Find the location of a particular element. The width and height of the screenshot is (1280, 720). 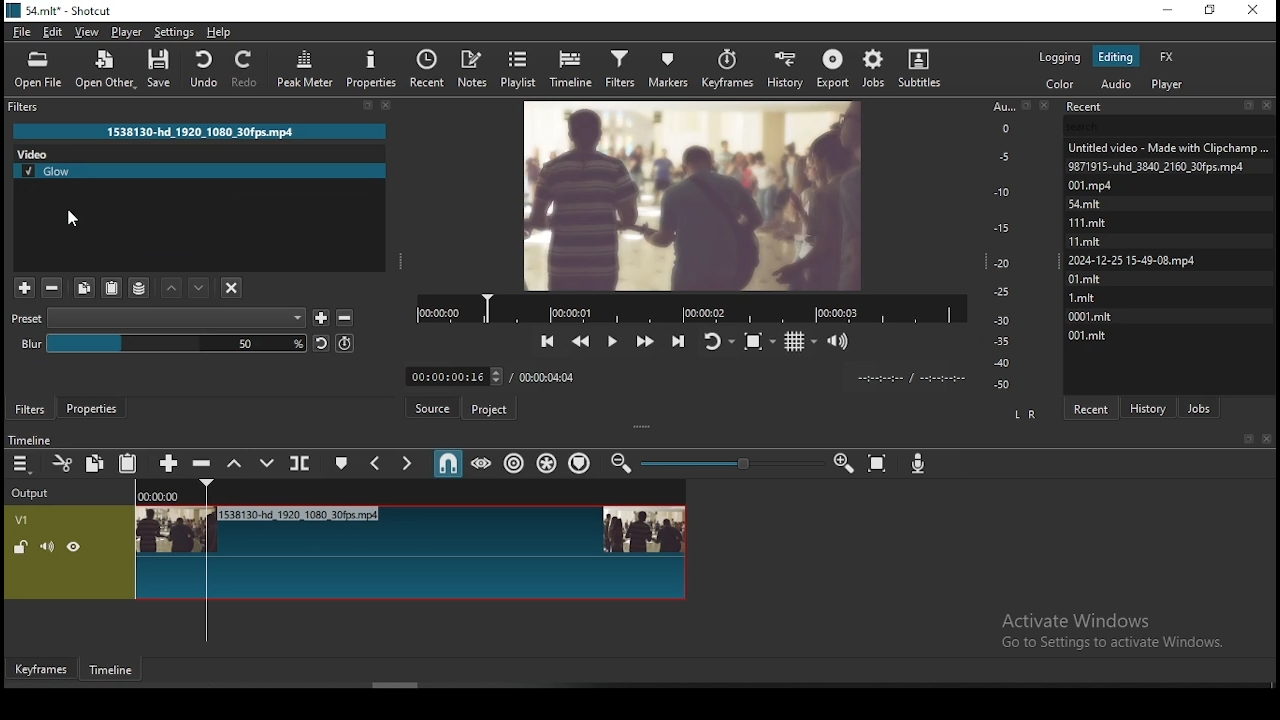

cut is located at coordinates (58, 465).